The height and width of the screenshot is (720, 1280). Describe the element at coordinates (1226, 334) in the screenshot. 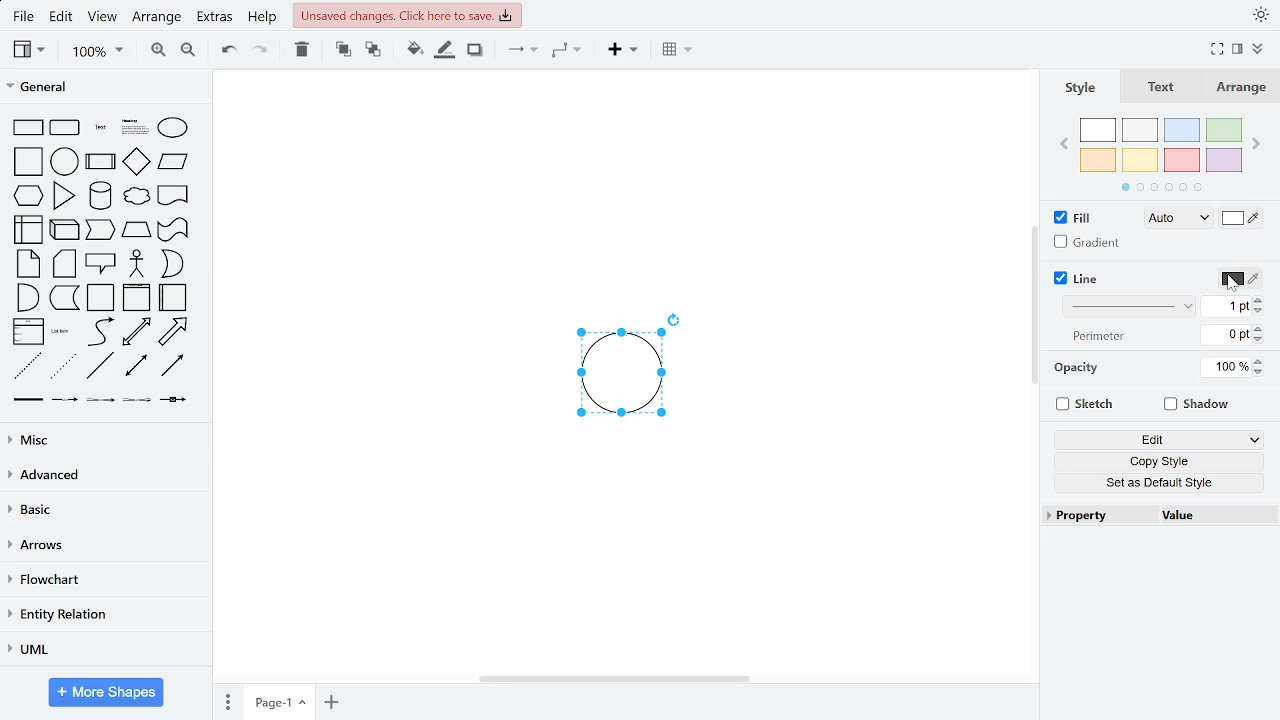

I see `change perimeter` at that location.